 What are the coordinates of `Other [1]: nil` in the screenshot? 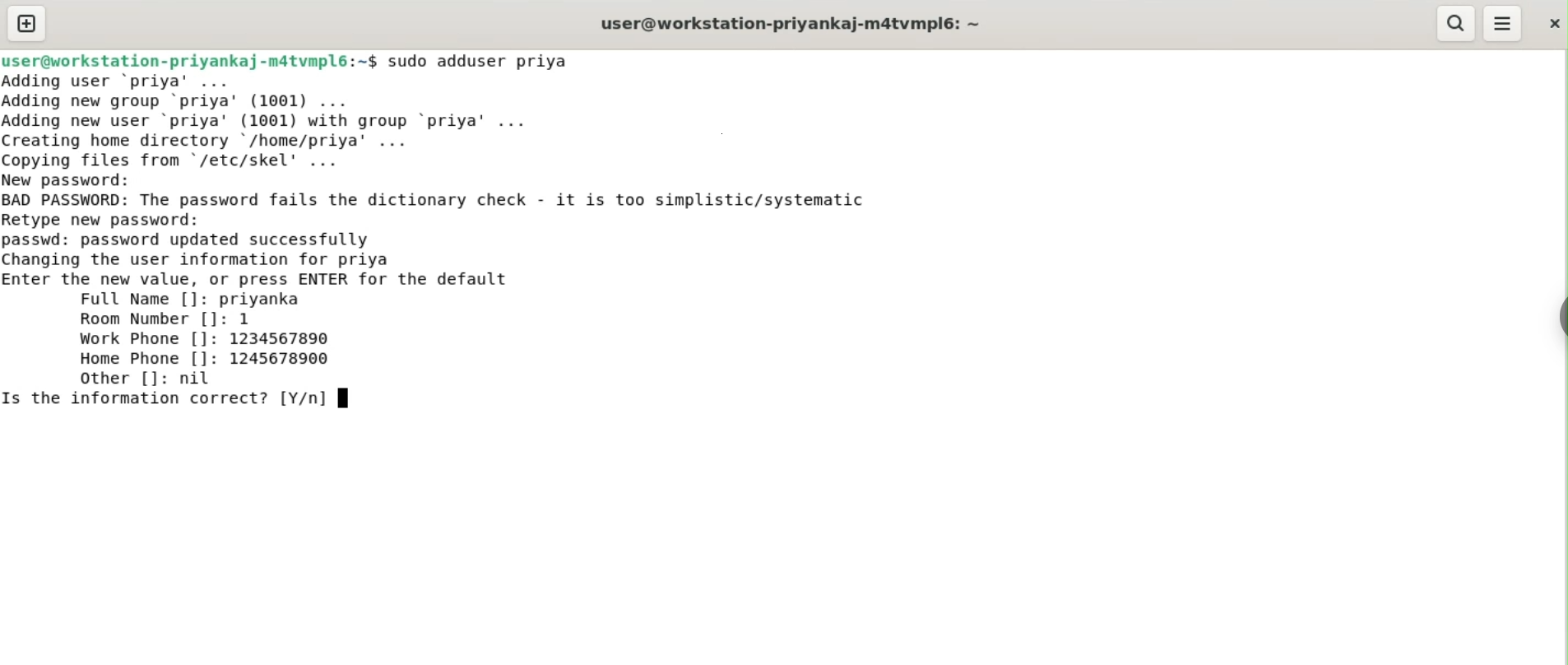 It's located at (142, 378).